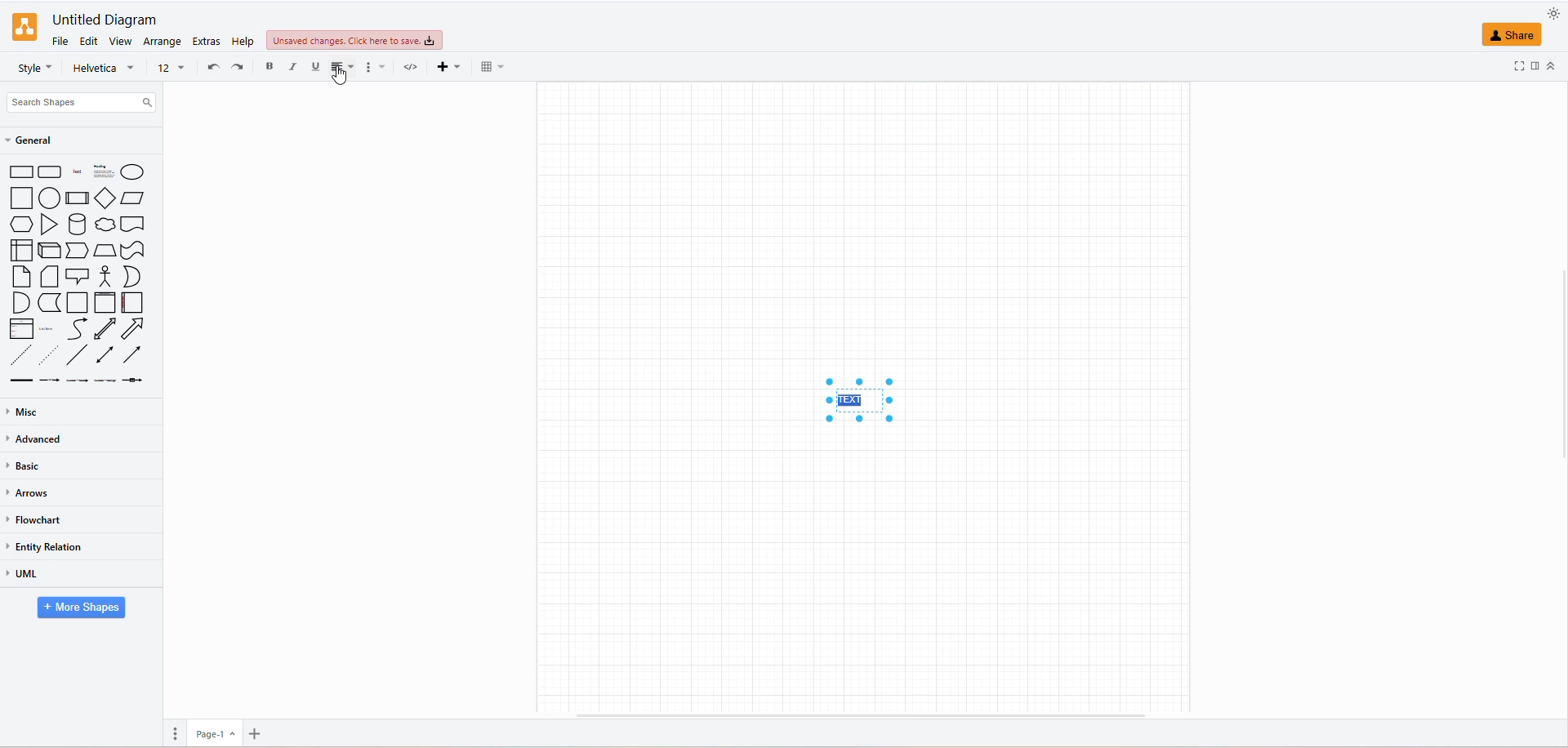  What do you see at coordinates (488, 66) in the screenshot?
I see `table` at bounding box center [488, 66].